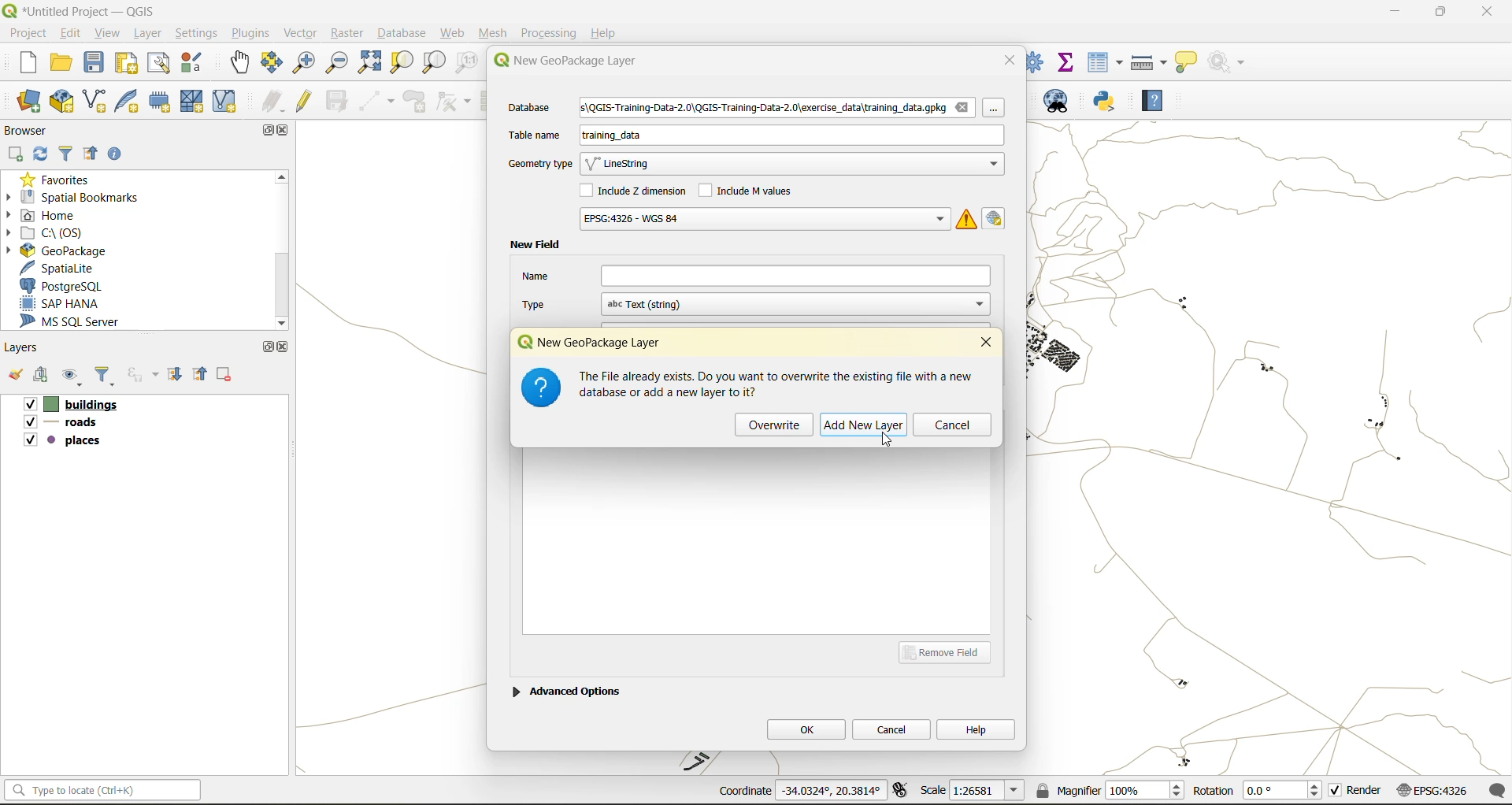 Image resolution: width=1512 pixels, height=805 pixels. Describe the element at coordinates (161, 102) in the screenshot. I see `temporary scratch layer` at that location.